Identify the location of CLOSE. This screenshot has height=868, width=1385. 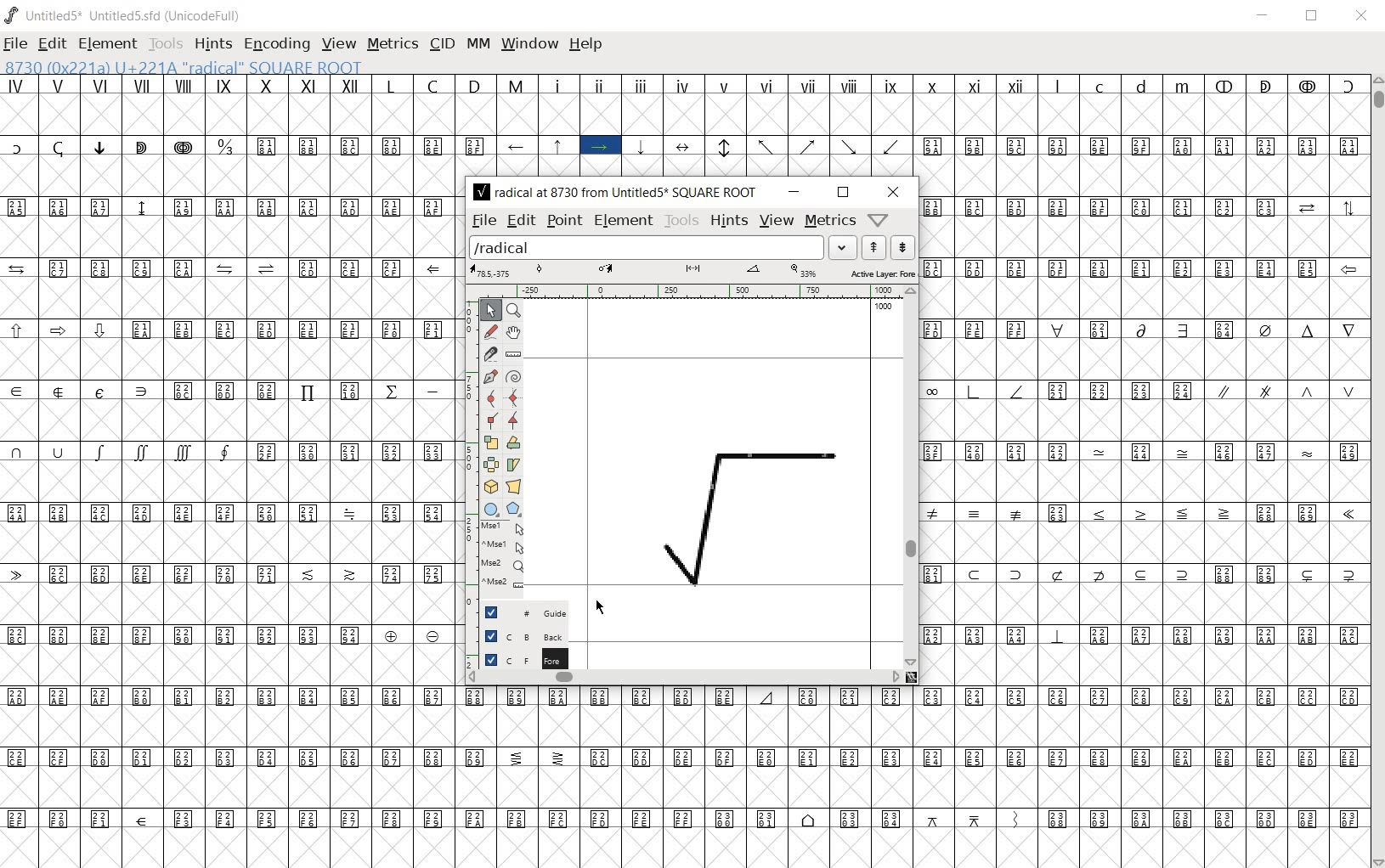
(1362, 15).